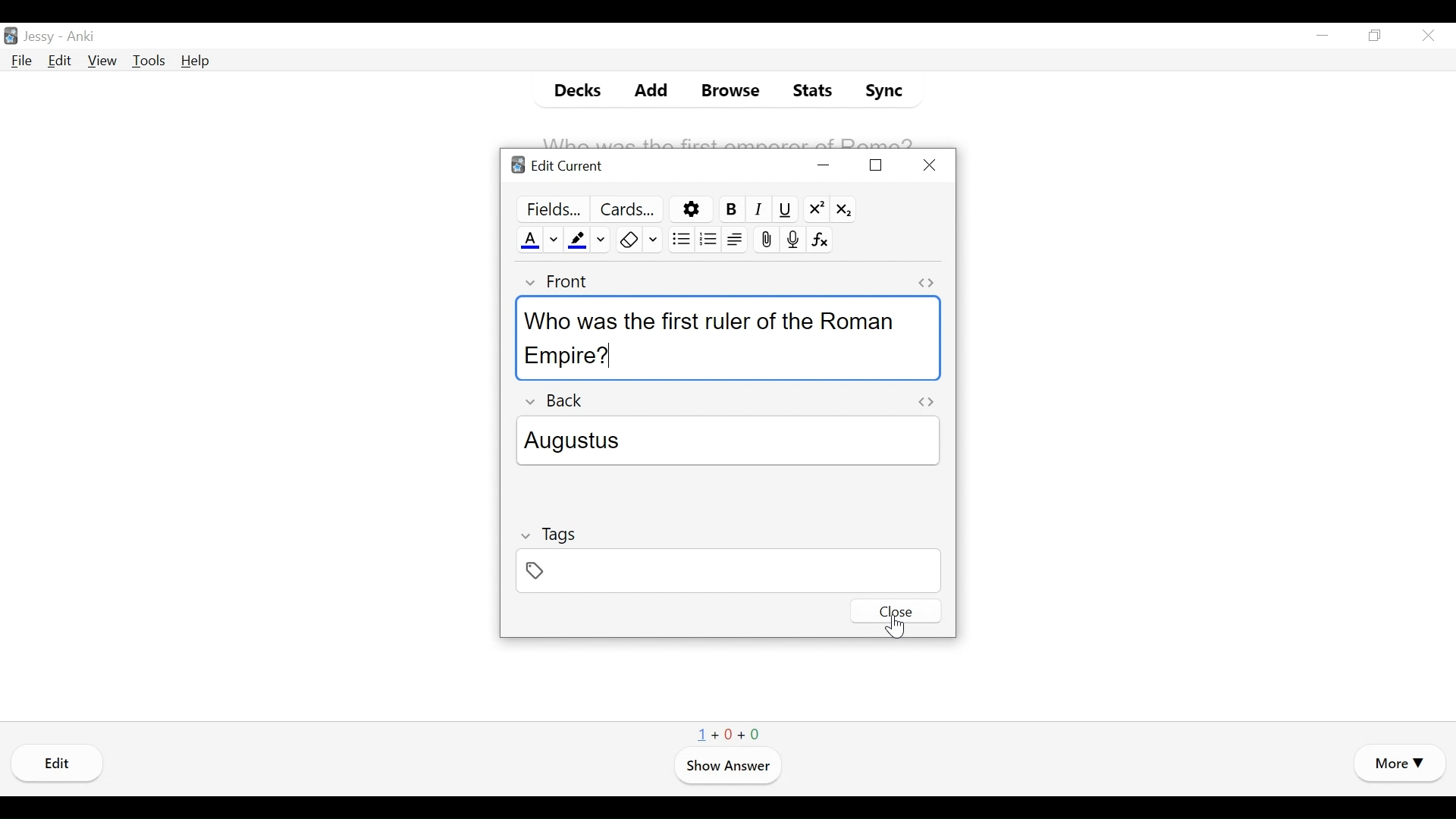 The width and height of the screenshot is (1456, 819). Describe the element at coordinates (736, 240) in the screenshot. I see `Alignment` at that location.